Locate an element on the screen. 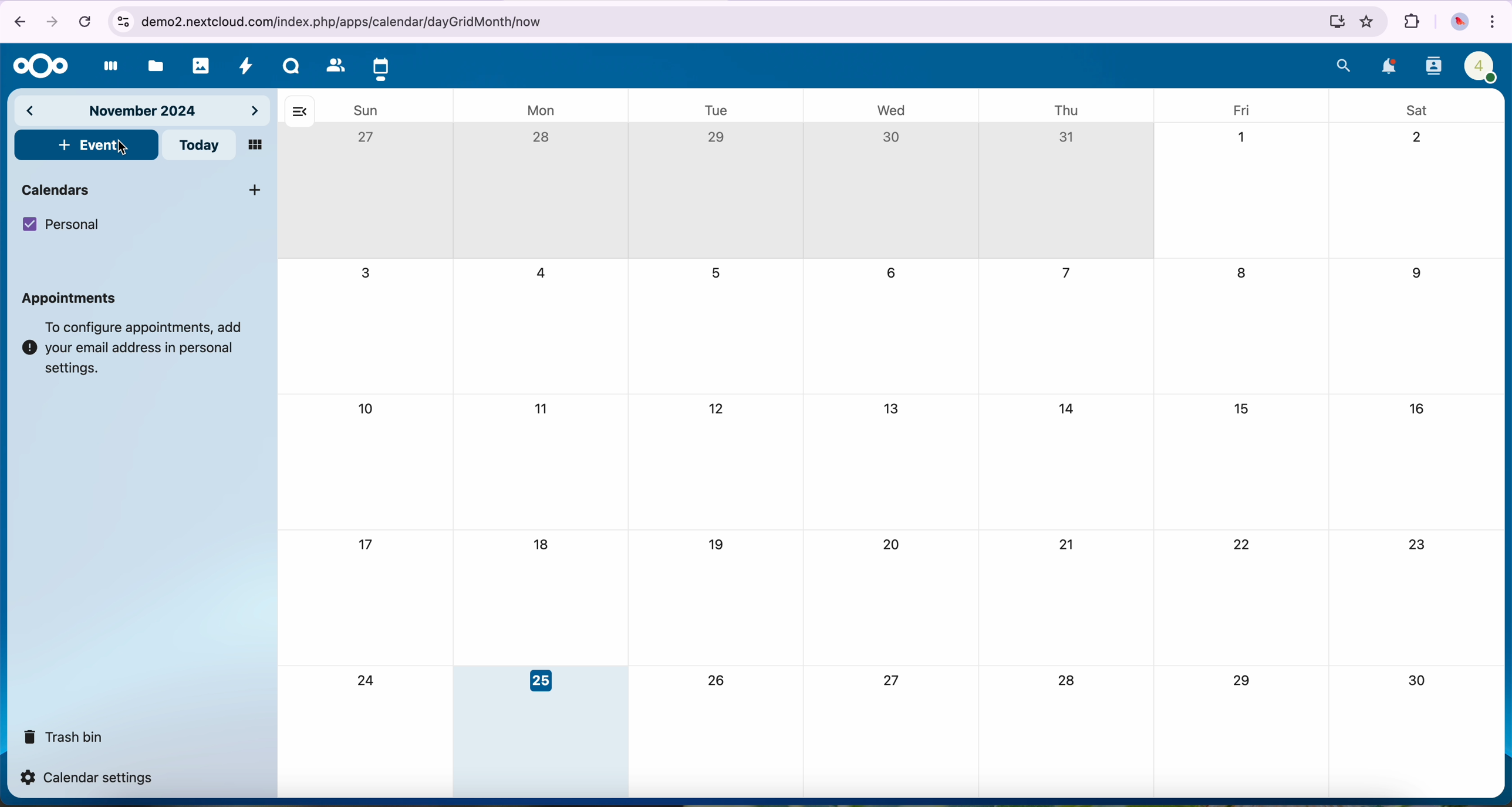 The width and height of the screenshot is (1512, 807). note is located at coordinates (135, 348).